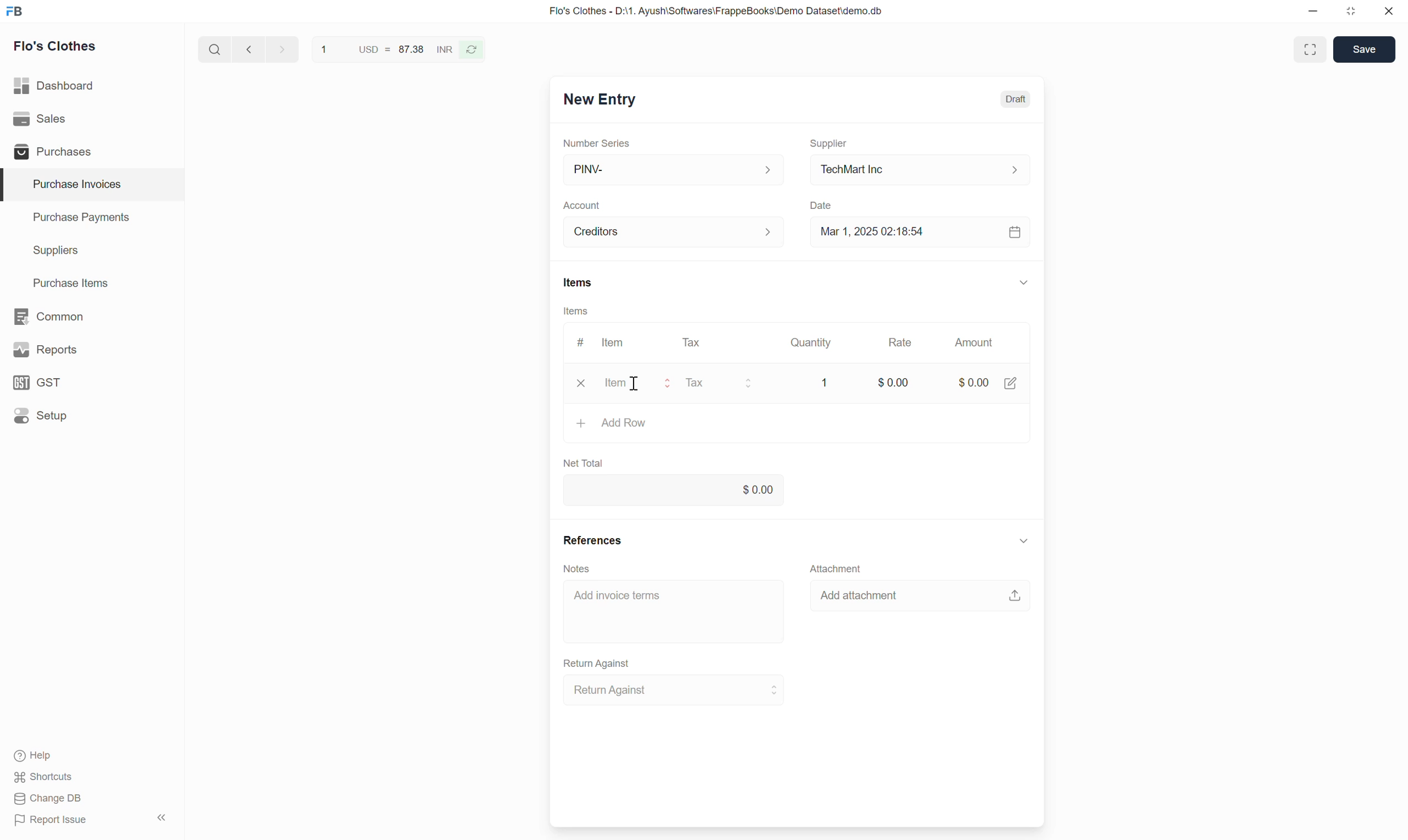 This screenshot has width=1408, height=840. What do you see at coordinates (55, 46) in the screenshot?
I see `Flo's Clothes` at bounding box center [55, 46].